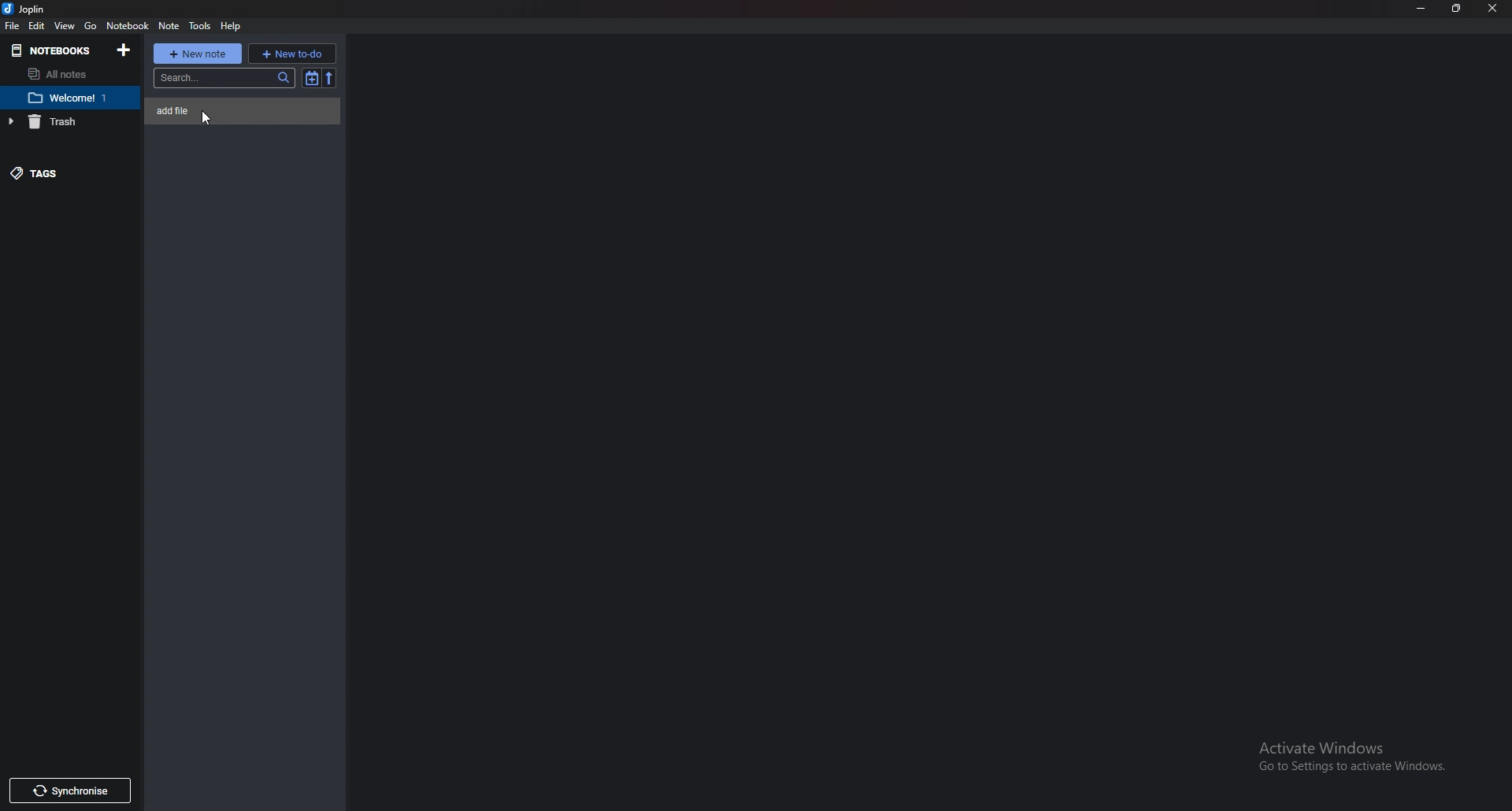 The width and height of the screenshot is (1512, 811). Describe the element at coordinates (90, 24) in the screenshot. I see `go` at that location.